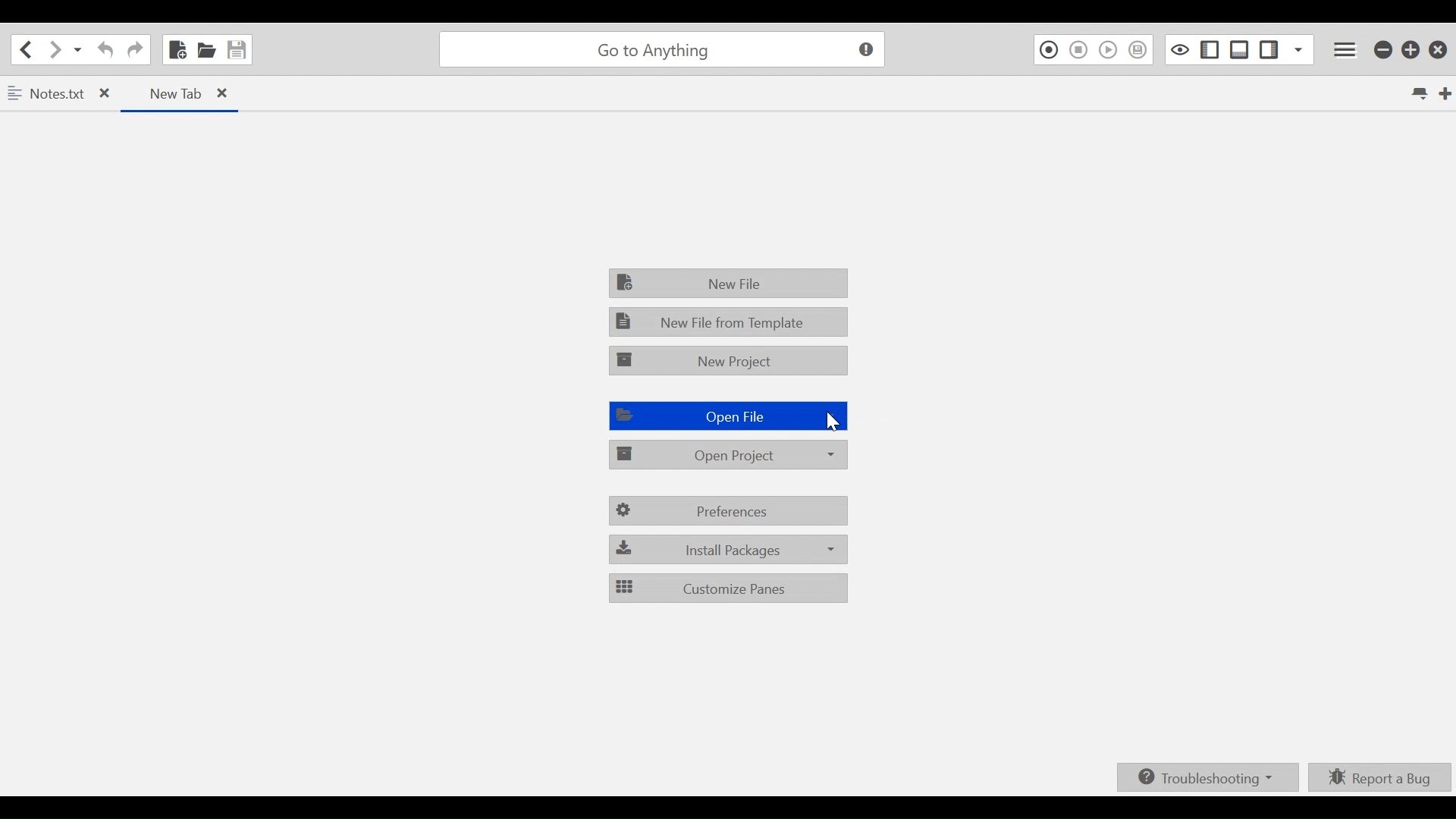 The image size is (1456, 819). Describe the element at coordinates (1047, 50) in the screenshot. I see `Recording Macro` at that location.